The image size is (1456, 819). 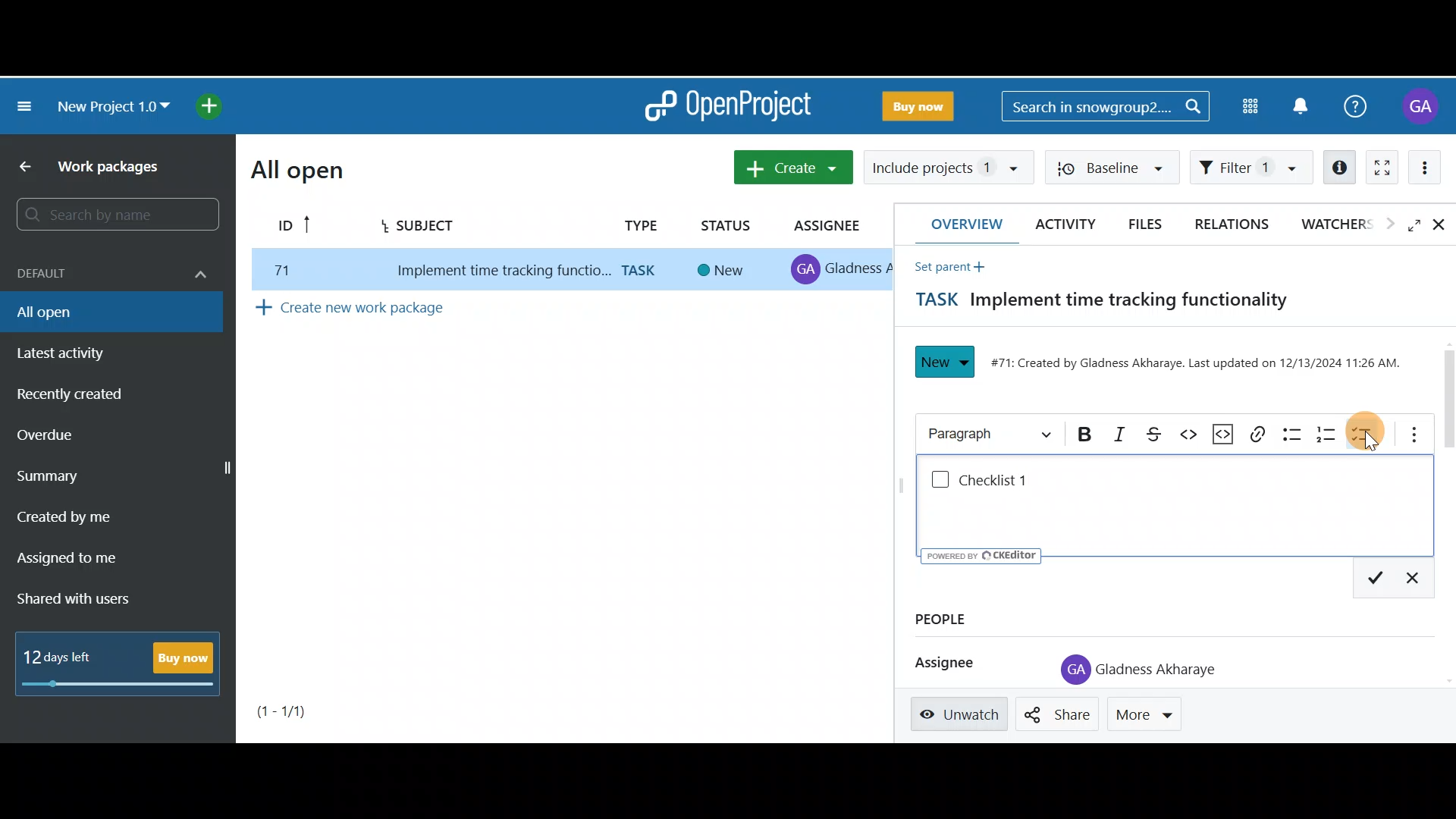 What do you see at coordinates (1337, 165) in the screenshot?
I see `Open details view` at bounding box center [1337, 165].